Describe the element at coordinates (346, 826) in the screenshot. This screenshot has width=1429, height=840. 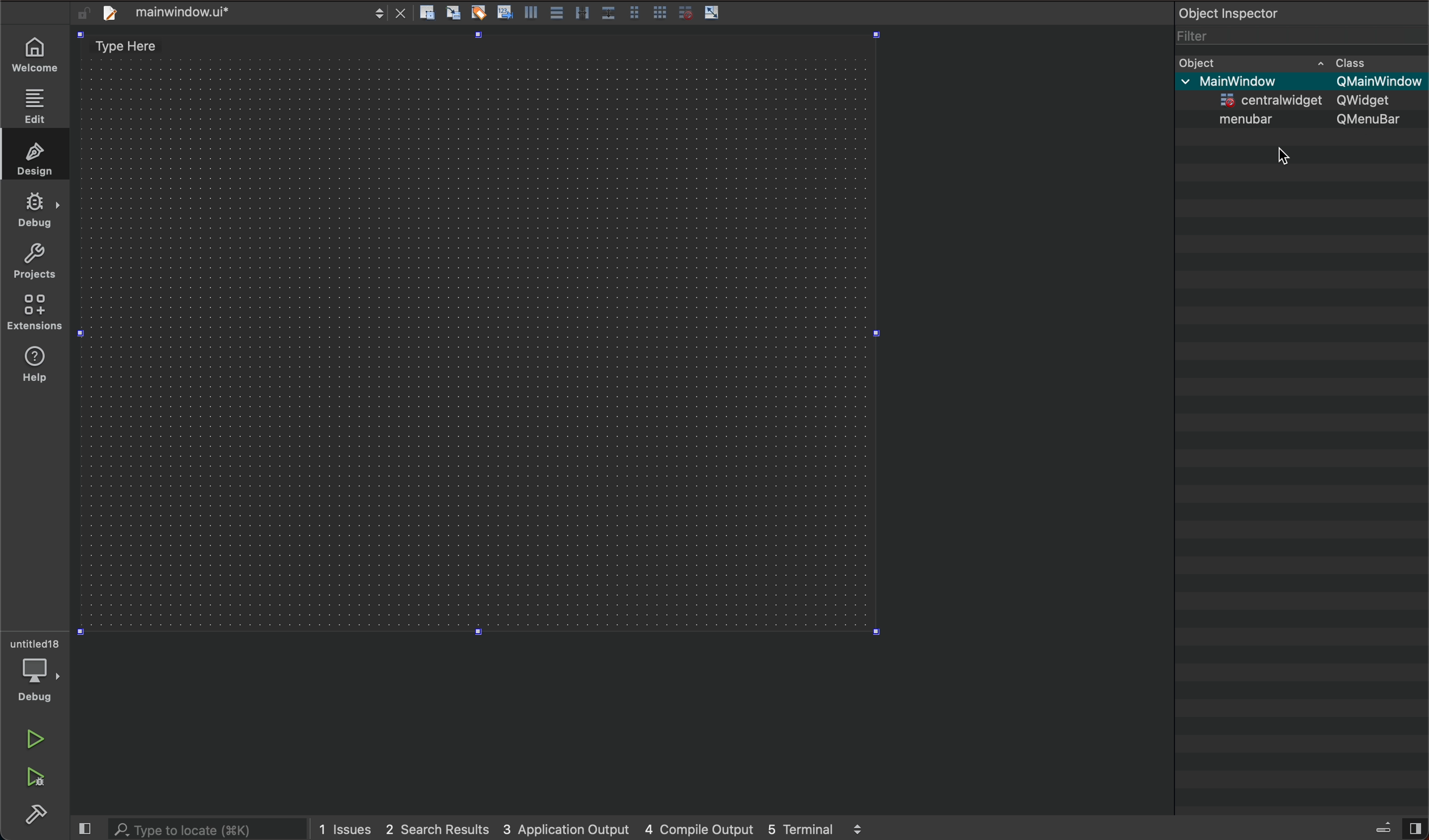
I see `1 issues` at that location.